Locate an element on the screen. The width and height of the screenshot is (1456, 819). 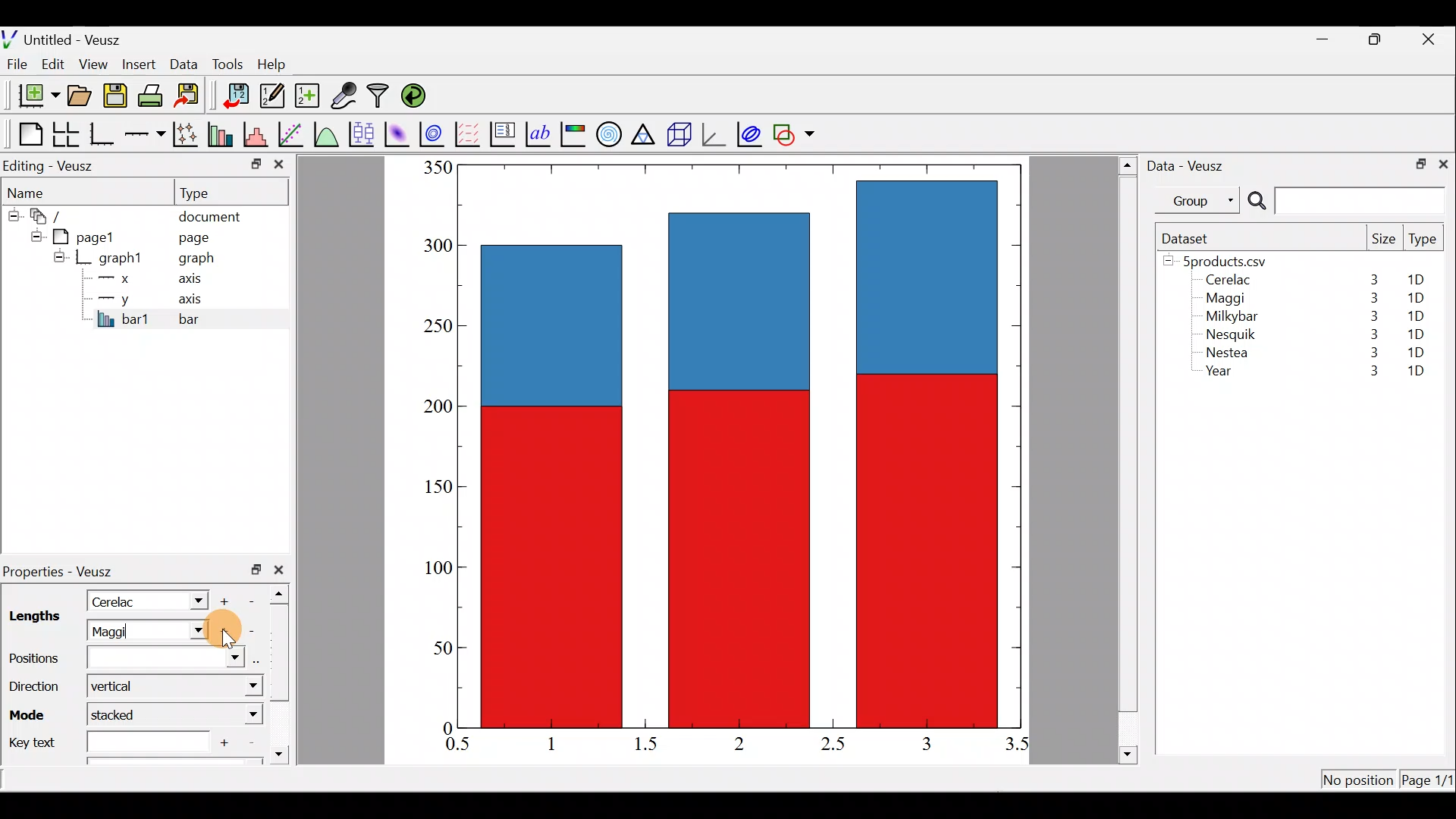
Print the document is located at coordinates (155, 95).